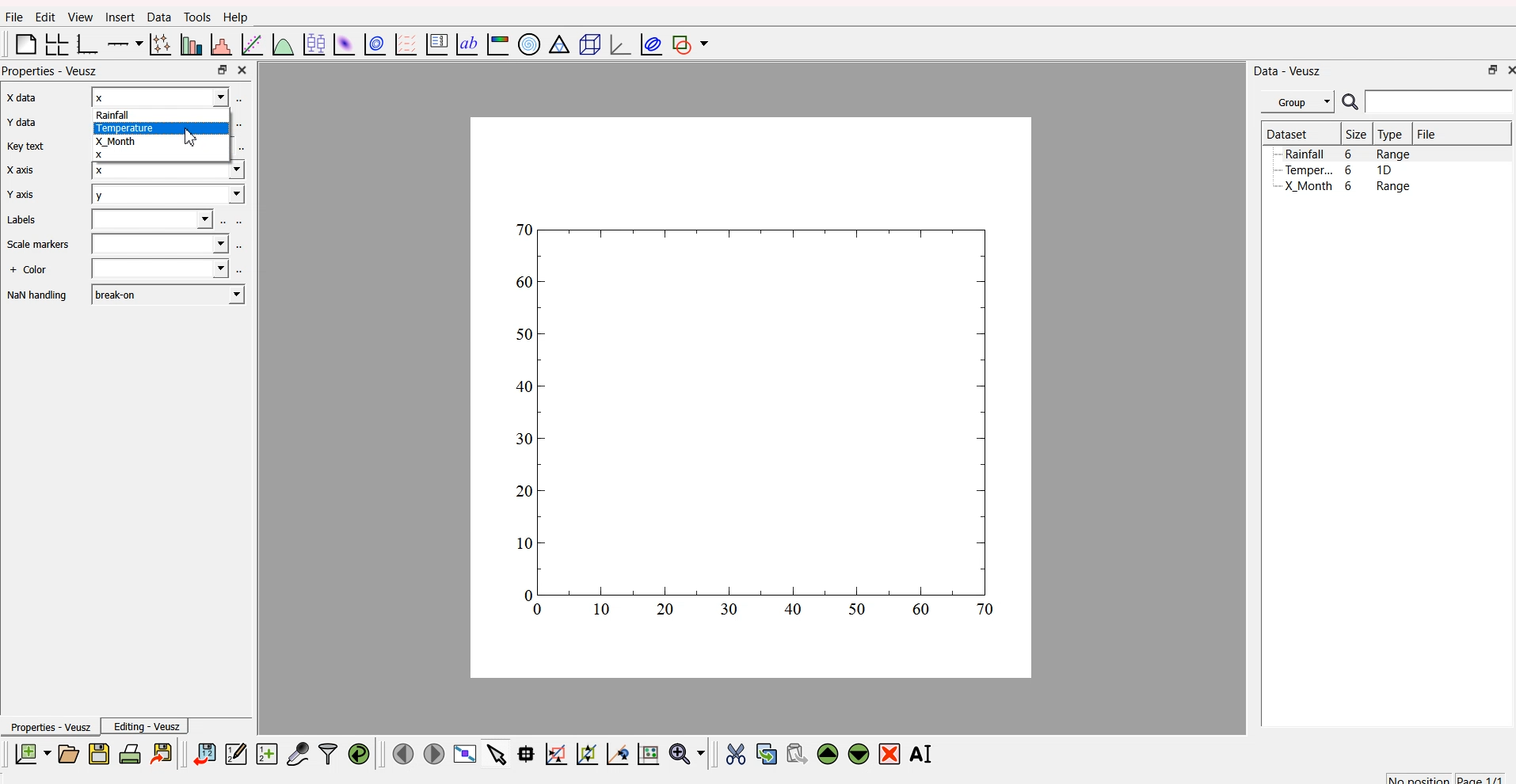 The height and width of the screenshot is (784, 1516). I want to click on Key text, so click(27, 147).